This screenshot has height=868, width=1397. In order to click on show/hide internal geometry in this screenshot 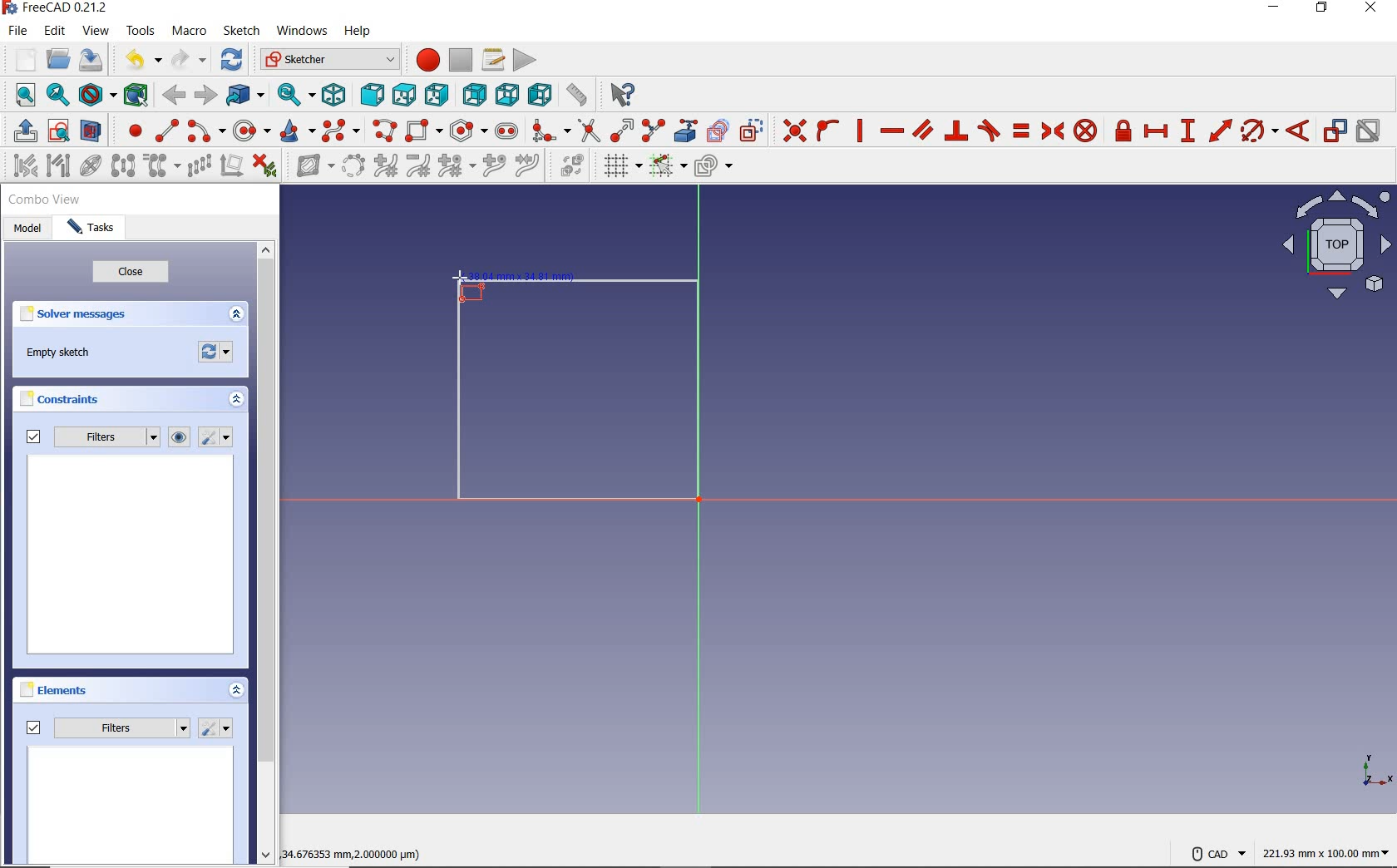, I will do `click(89, 166)`.